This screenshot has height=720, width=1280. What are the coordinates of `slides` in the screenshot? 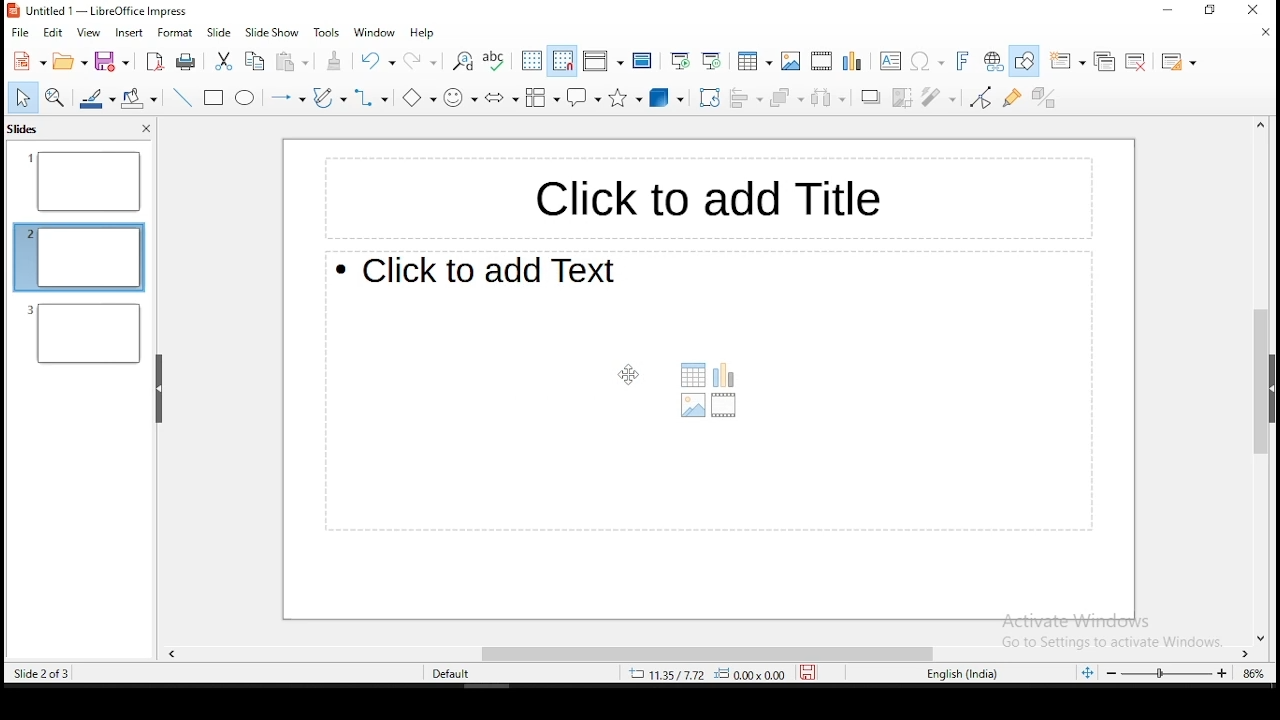 It's located at (24, 131).